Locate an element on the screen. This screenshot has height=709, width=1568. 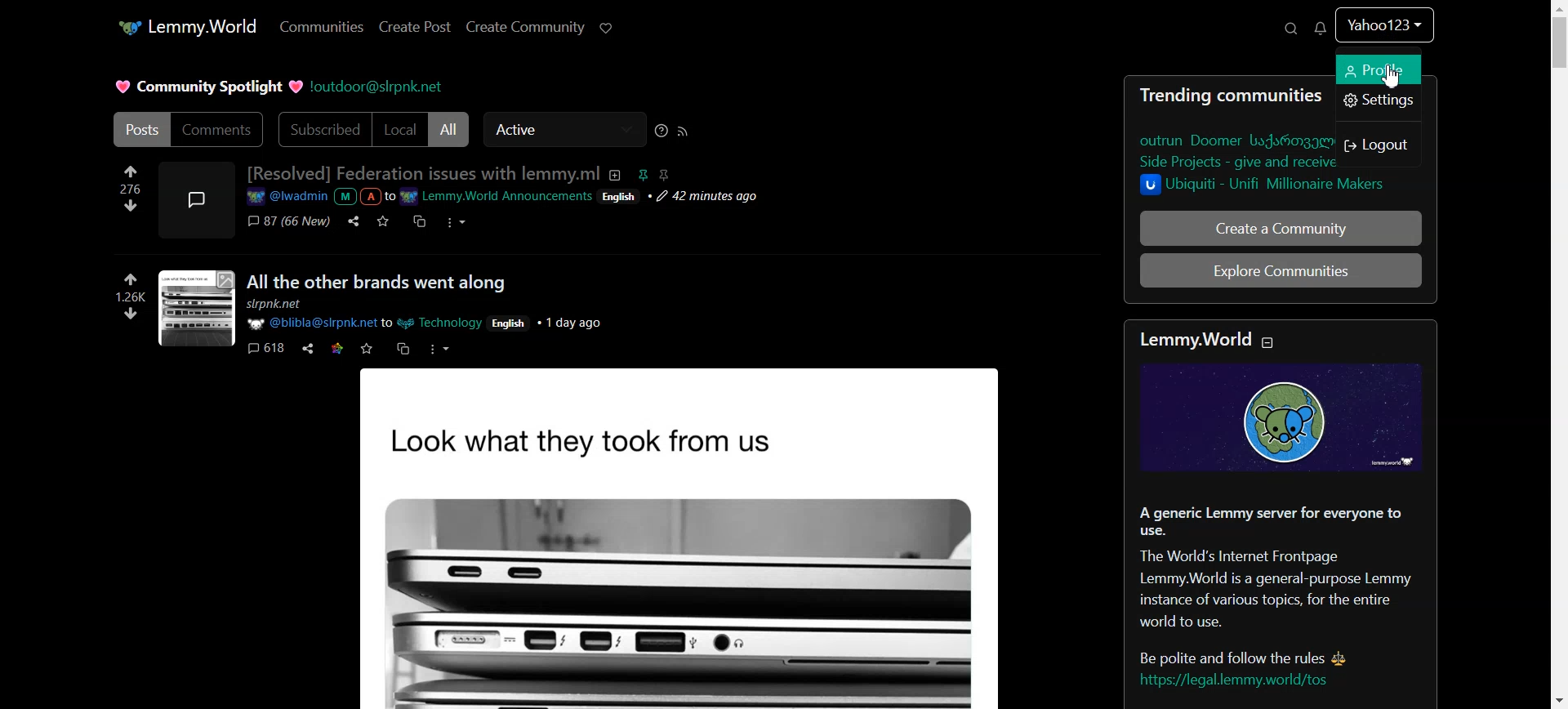
thumbnail is located at coordinates (196, 309).